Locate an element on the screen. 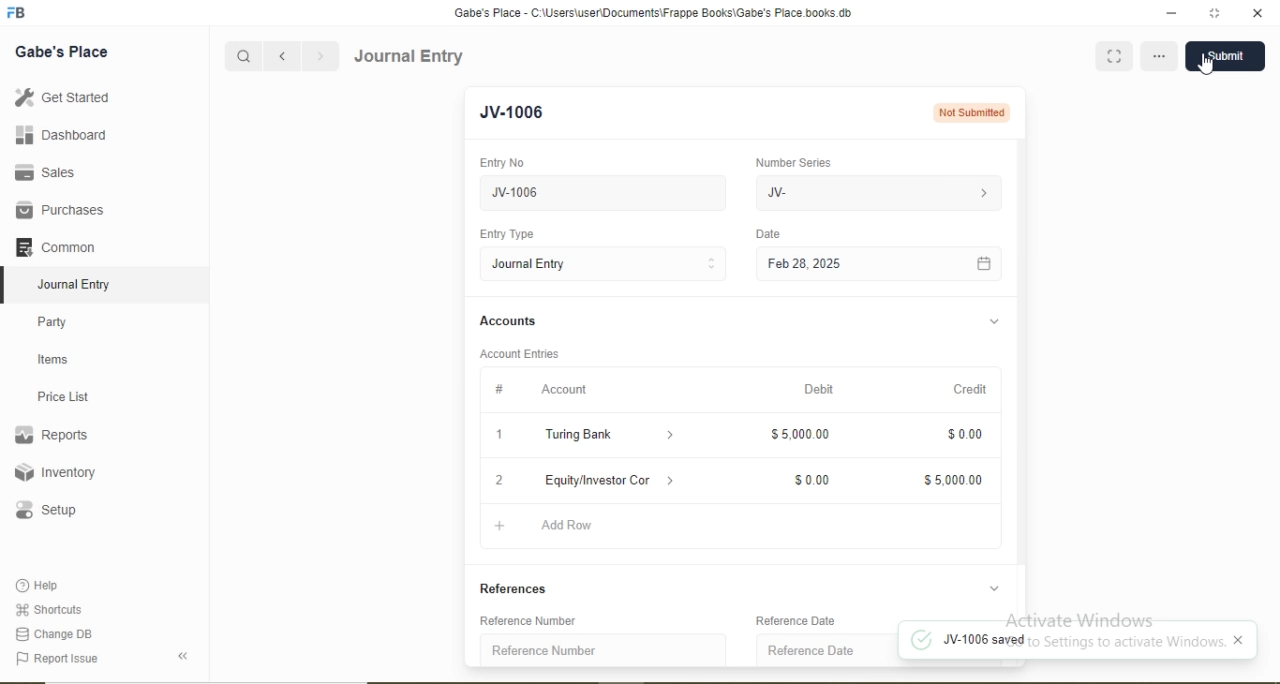 The width and height of the screenshot is (1280, 684). Gabe's Place is located at coordinates (62, 52).